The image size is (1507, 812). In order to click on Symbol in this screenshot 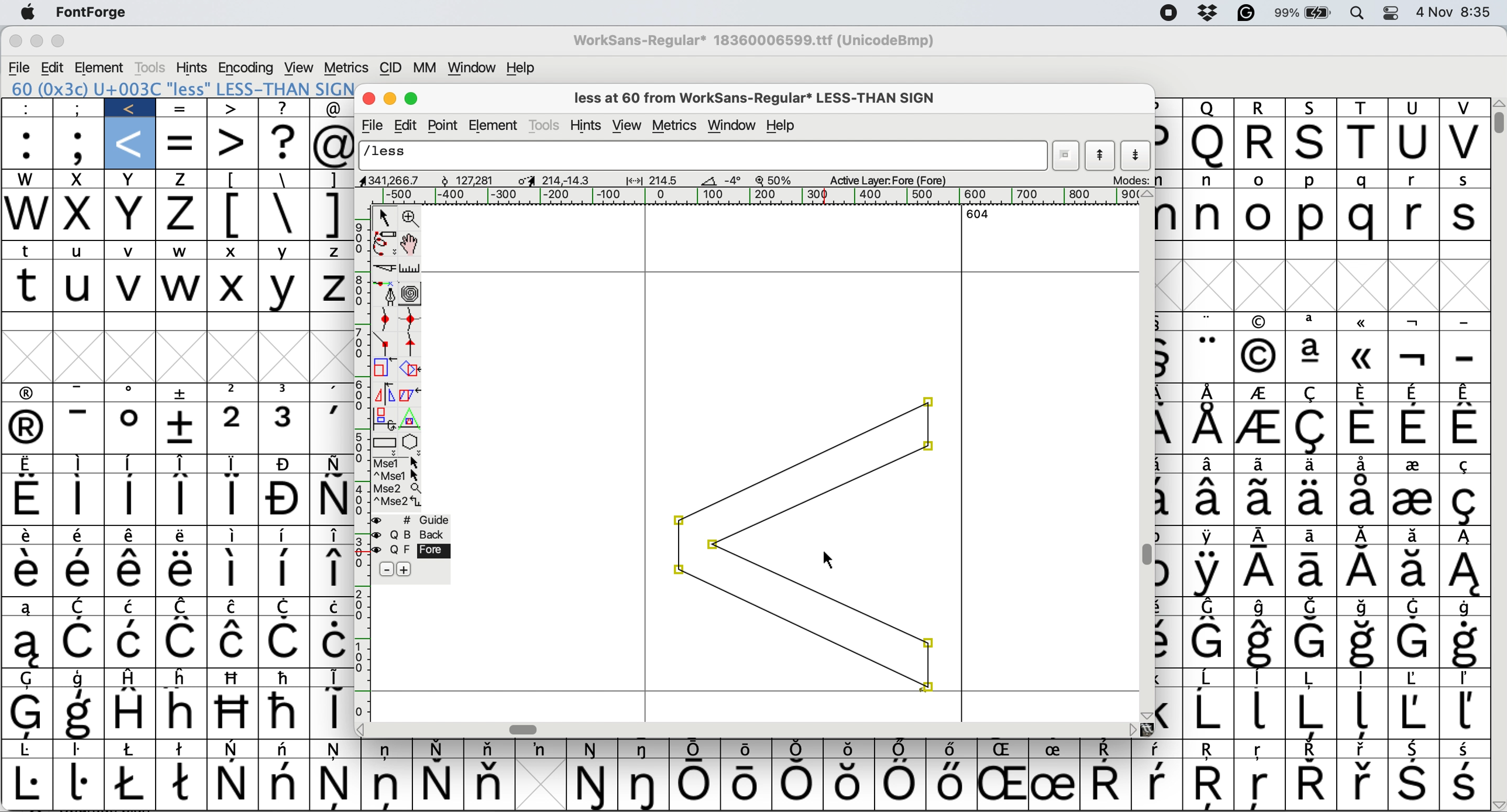, I will do `click(81, 783)`.